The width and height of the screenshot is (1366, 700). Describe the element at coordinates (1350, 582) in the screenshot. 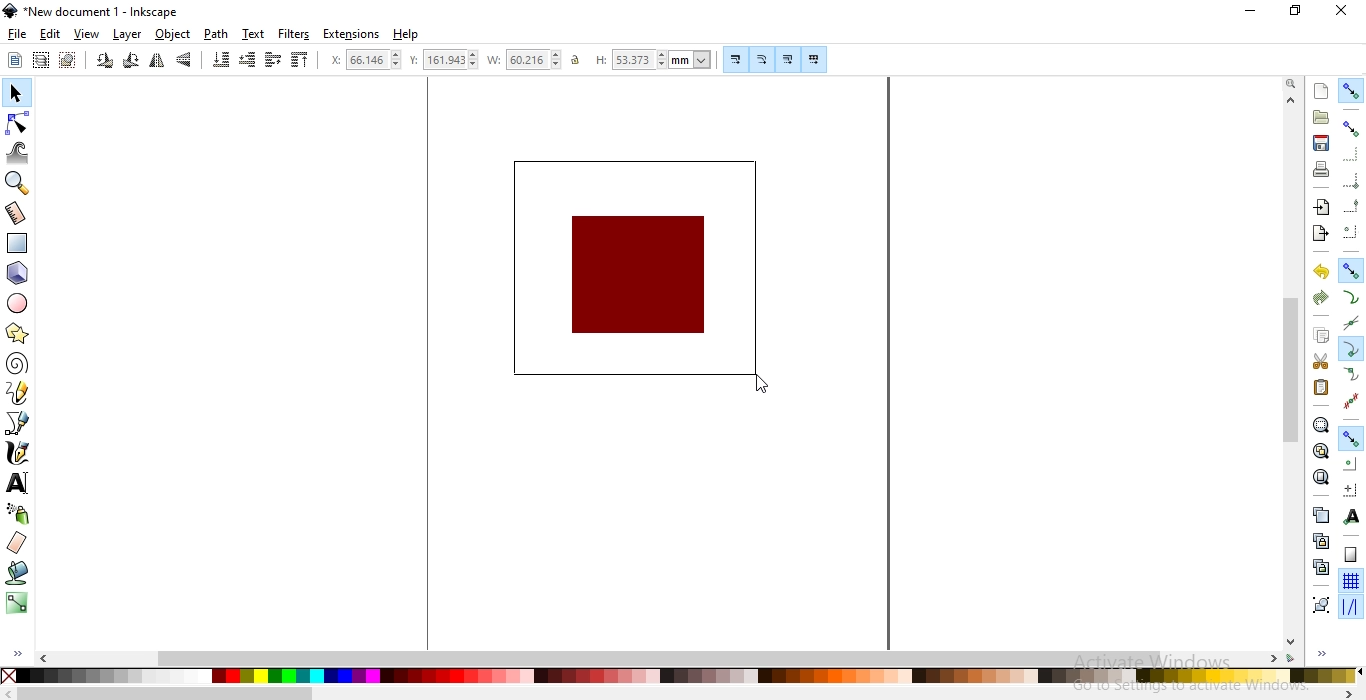

I see `snap to grids` at that location.